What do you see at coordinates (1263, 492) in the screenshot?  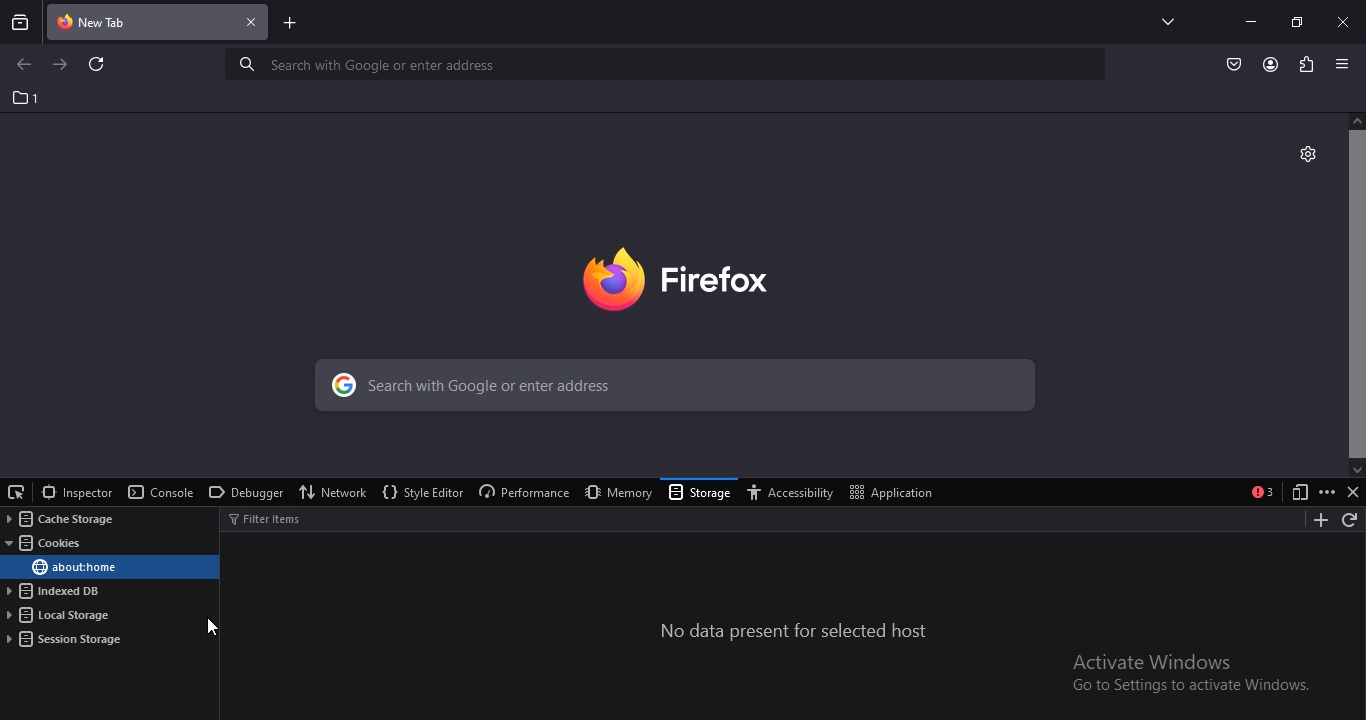 I see `show split console` at bounding box center [1263, 492].